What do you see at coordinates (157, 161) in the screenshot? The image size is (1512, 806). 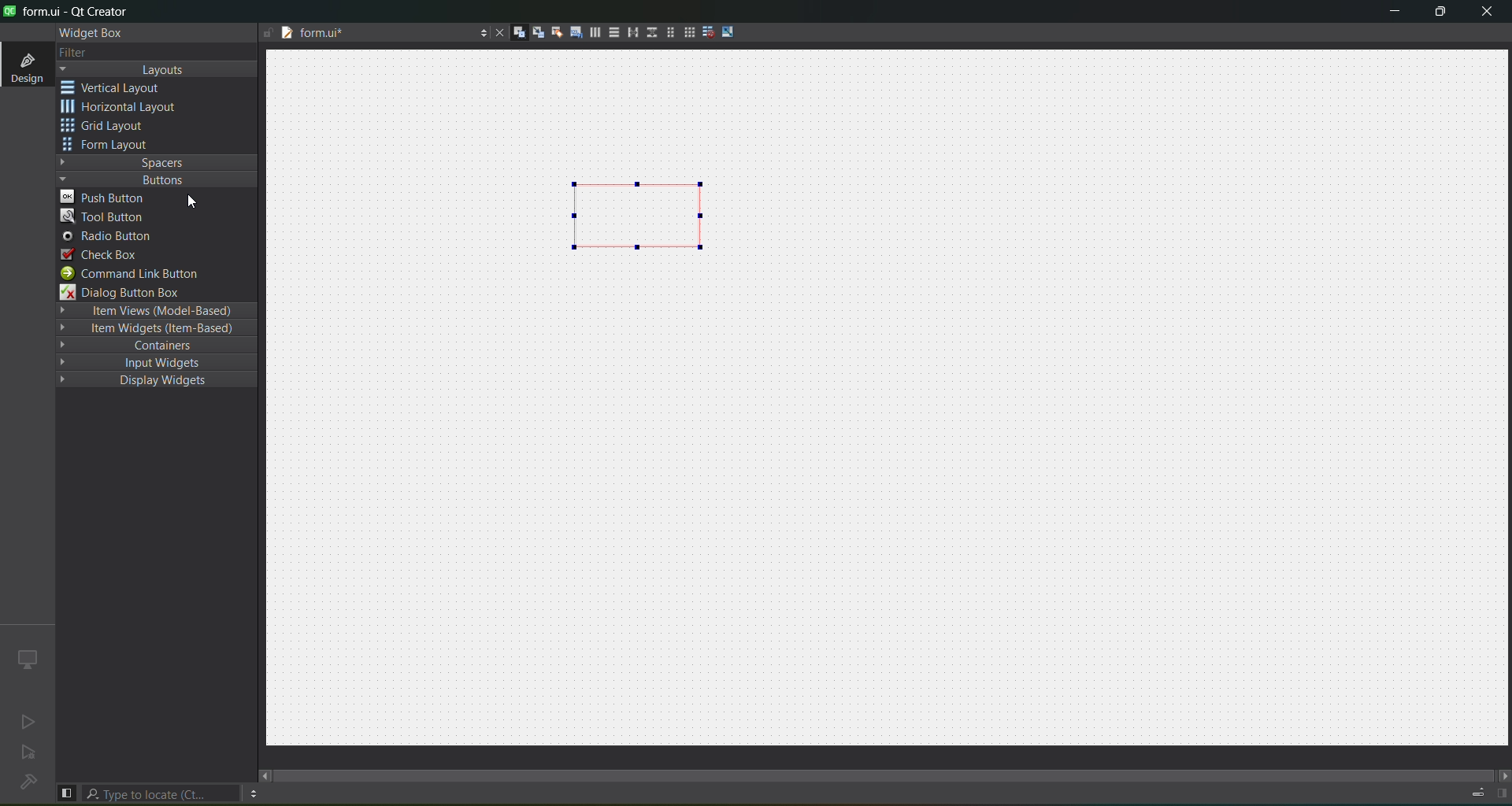 I see `spaces` at bounding box center [157, 161].